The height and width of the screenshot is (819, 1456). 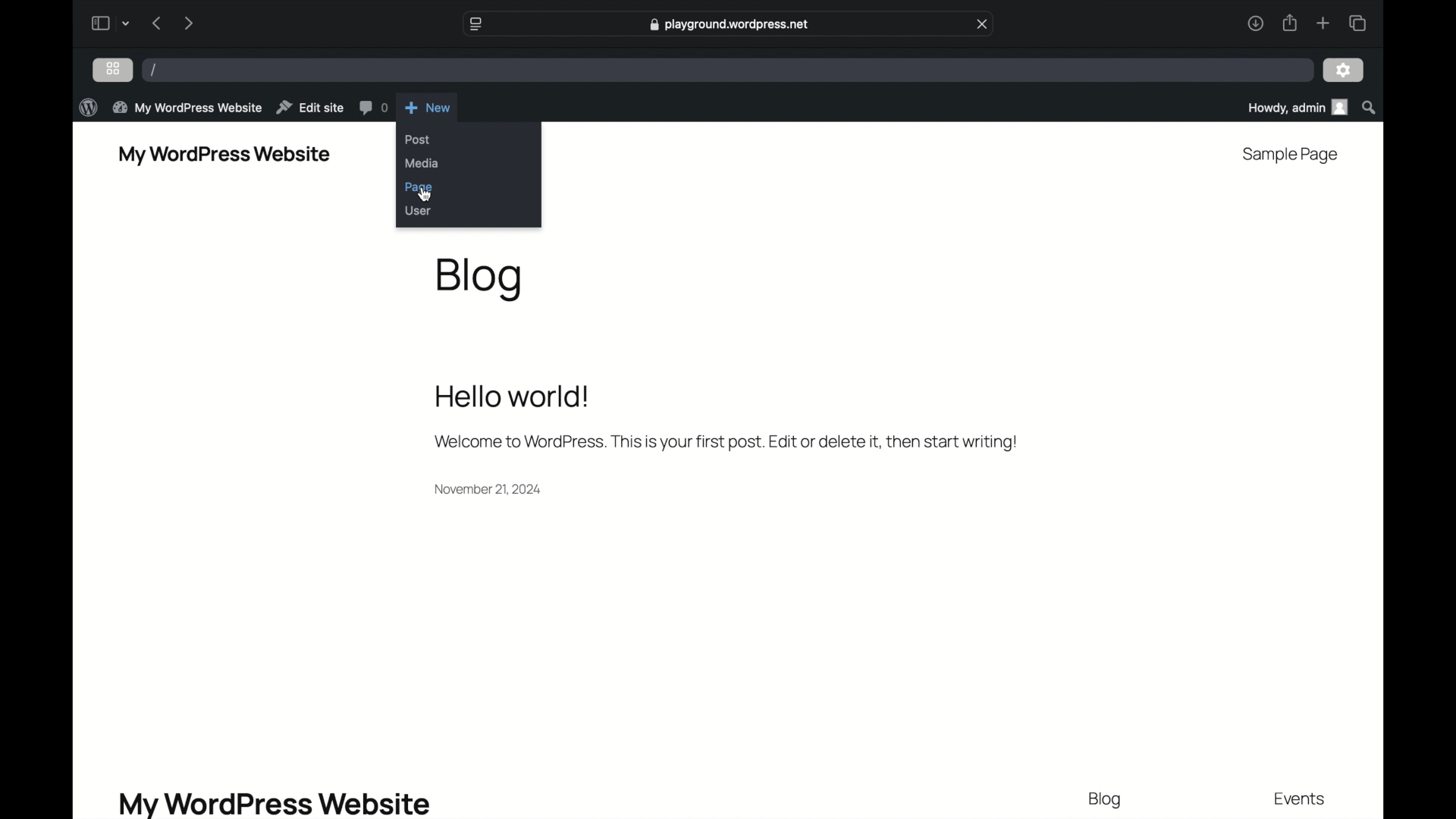 What do you see at coordinates (154, 71) in the screenshot?
I see `/` at bounding box center [154, 71].